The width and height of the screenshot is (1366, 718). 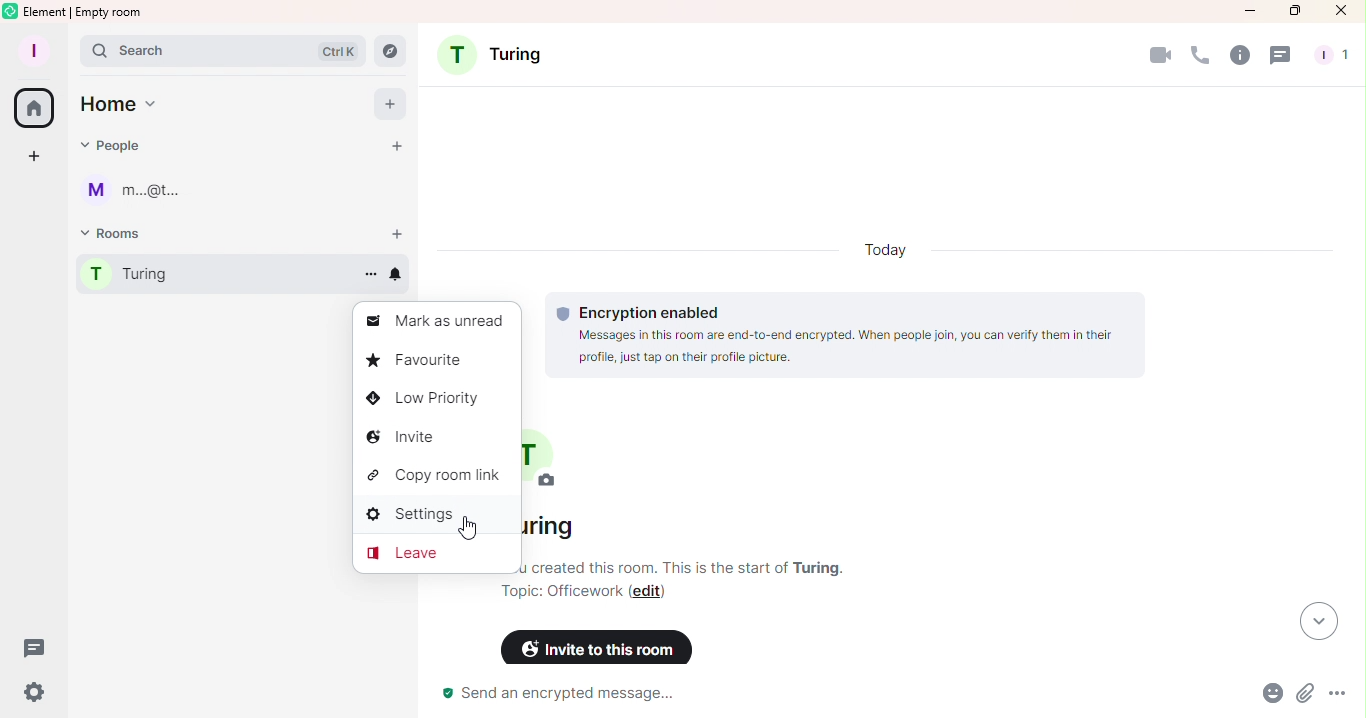 What do you see at coordinates (439, 476) in the screenshot?
I see `Copy room link` at bounding box center [439, 476].